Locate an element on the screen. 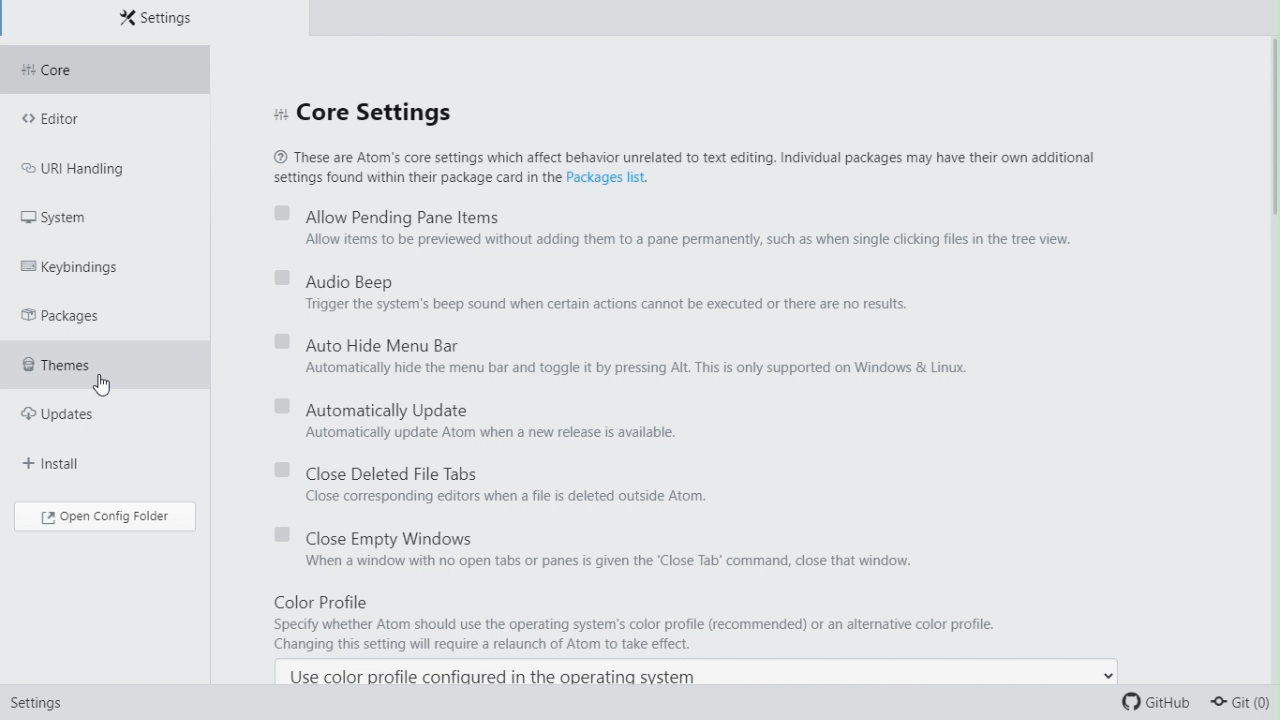  scrollbar is located at coordinates (1272, 152).